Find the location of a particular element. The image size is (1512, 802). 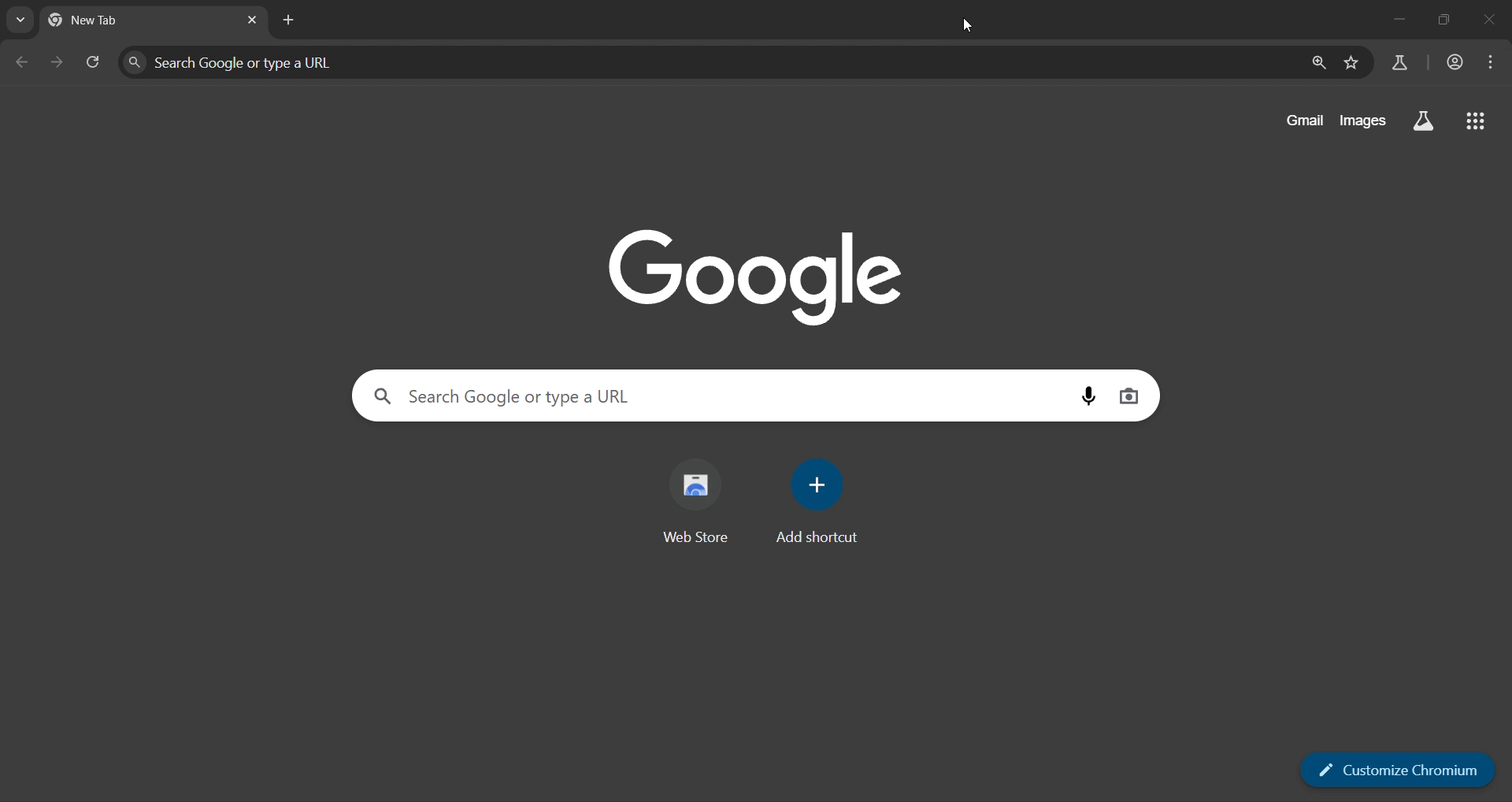

image search is located at coordinates (1131, 395).